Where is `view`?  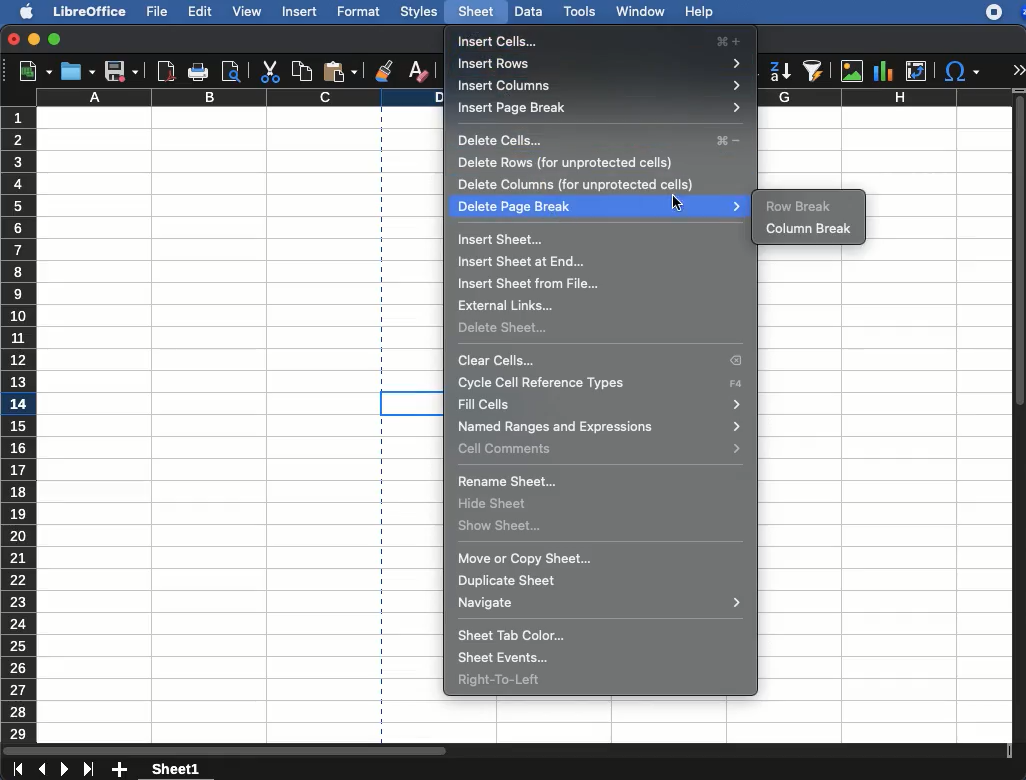 view is located at coordinates (244, 14).